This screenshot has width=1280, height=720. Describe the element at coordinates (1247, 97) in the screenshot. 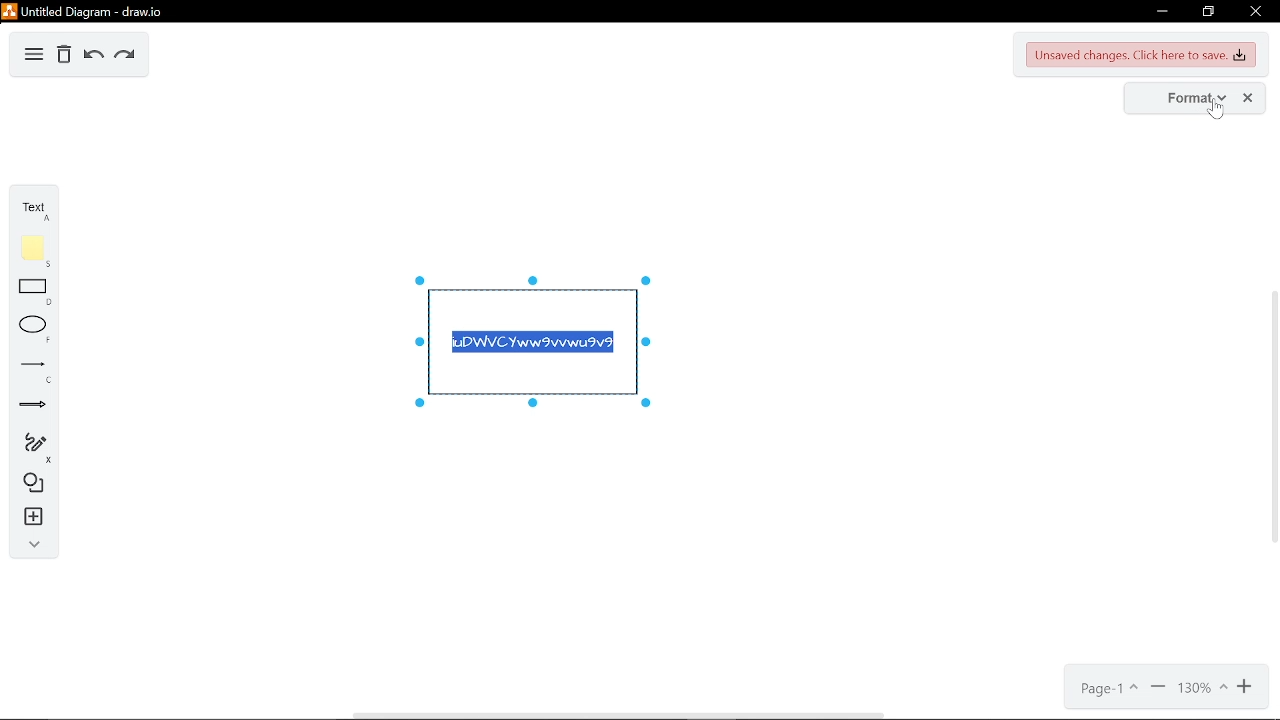

I see `close format` at that location.